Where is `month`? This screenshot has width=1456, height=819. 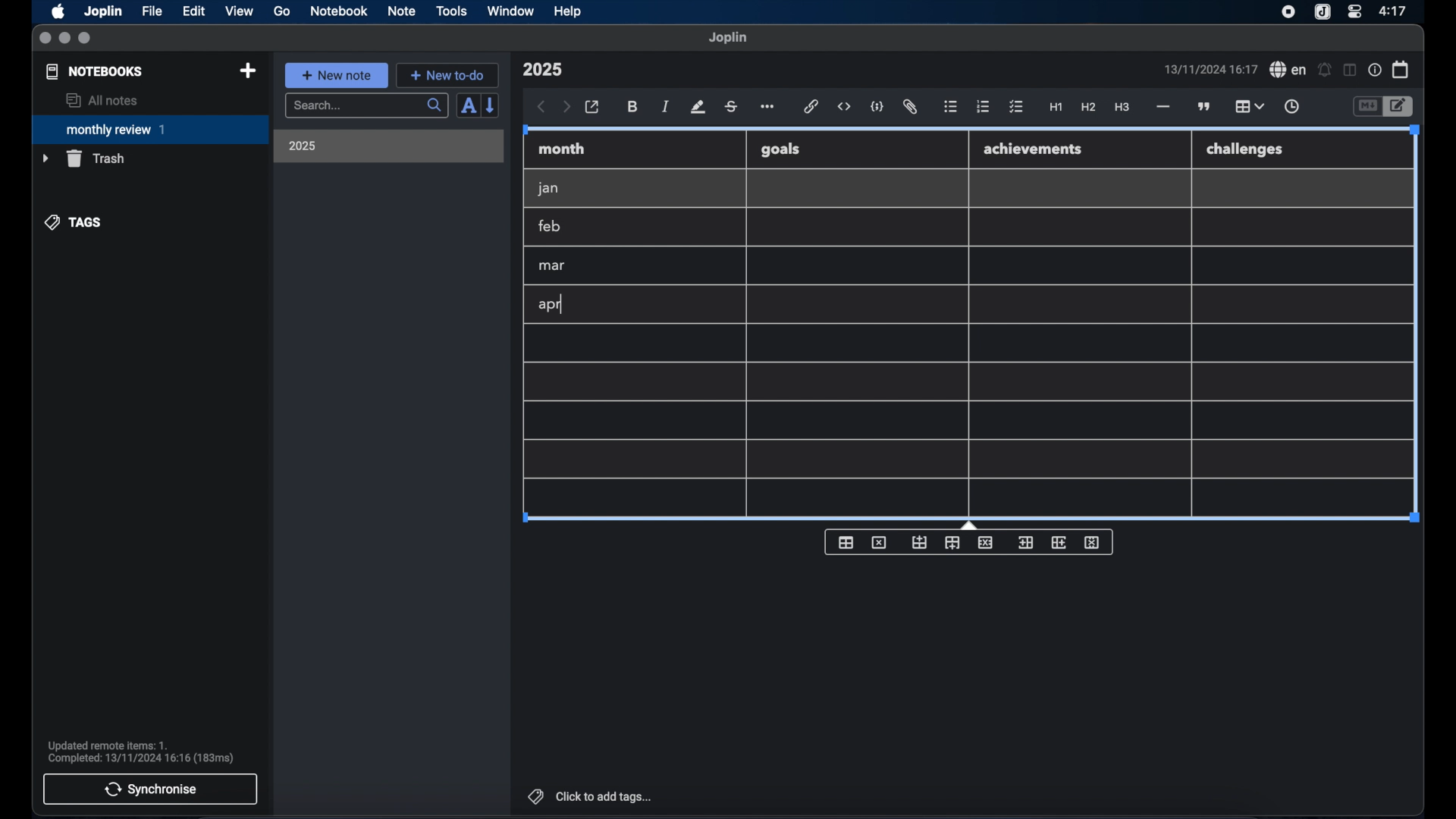
month is located at coordinates (562, 149).